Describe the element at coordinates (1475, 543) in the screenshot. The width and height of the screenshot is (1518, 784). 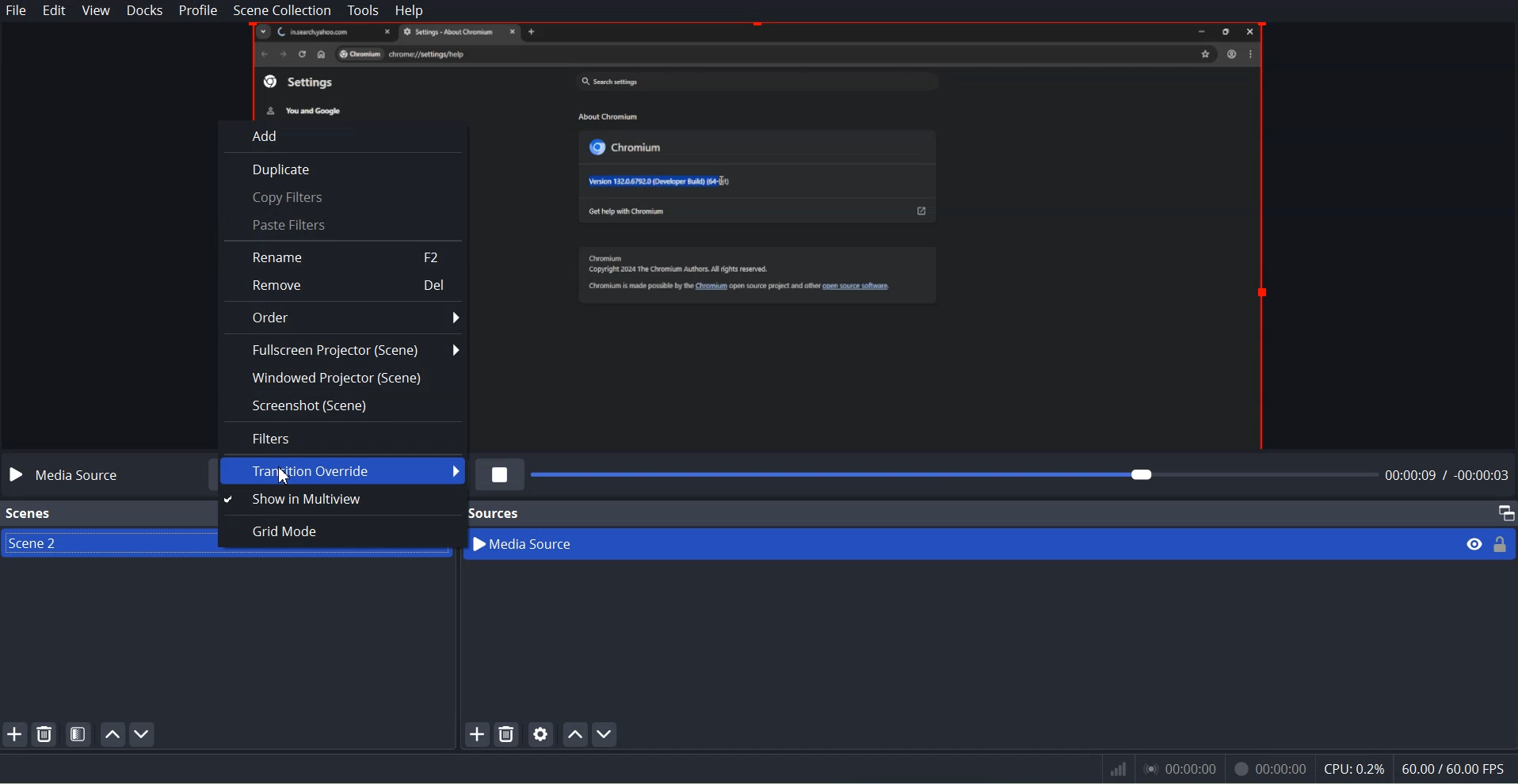
I see `eye` at that location.